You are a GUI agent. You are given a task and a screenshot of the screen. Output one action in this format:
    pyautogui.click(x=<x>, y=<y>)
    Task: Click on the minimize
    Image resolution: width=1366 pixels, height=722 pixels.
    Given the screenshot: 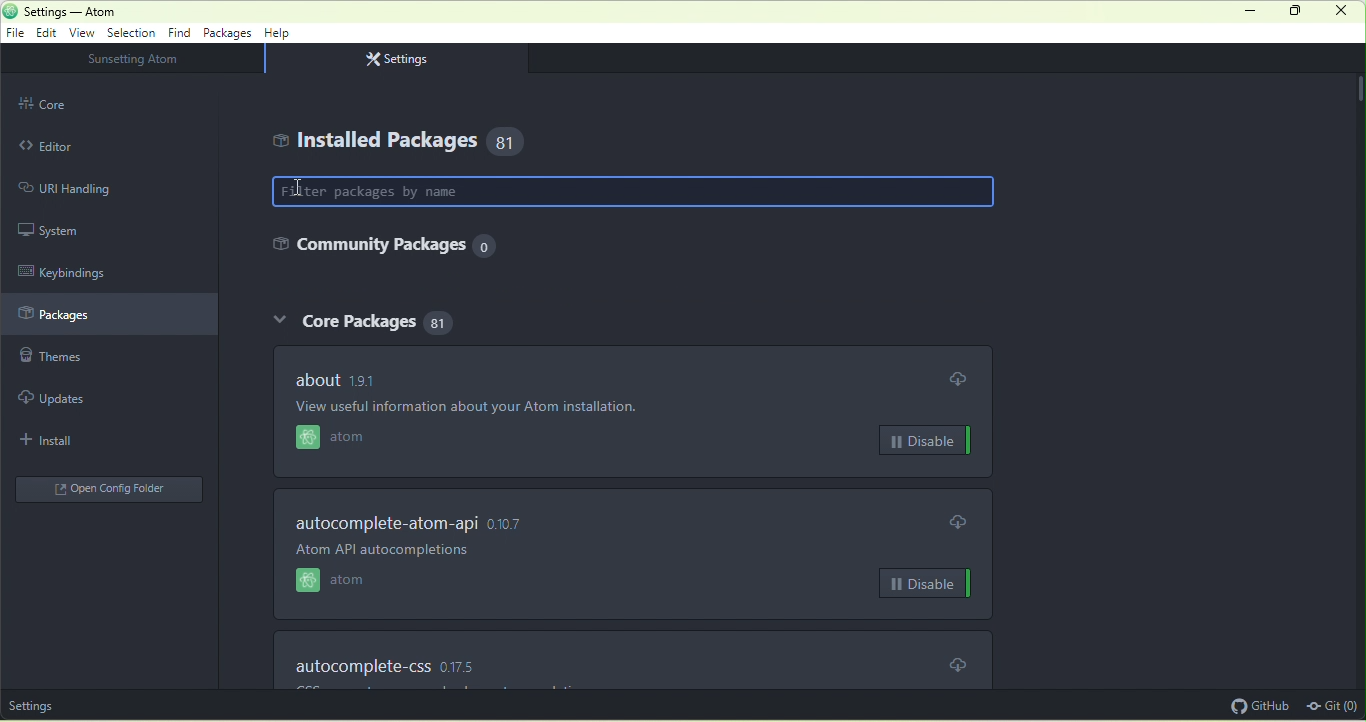 What is the action you would take?
    pyautogui.click(x=1247, y=12)
    